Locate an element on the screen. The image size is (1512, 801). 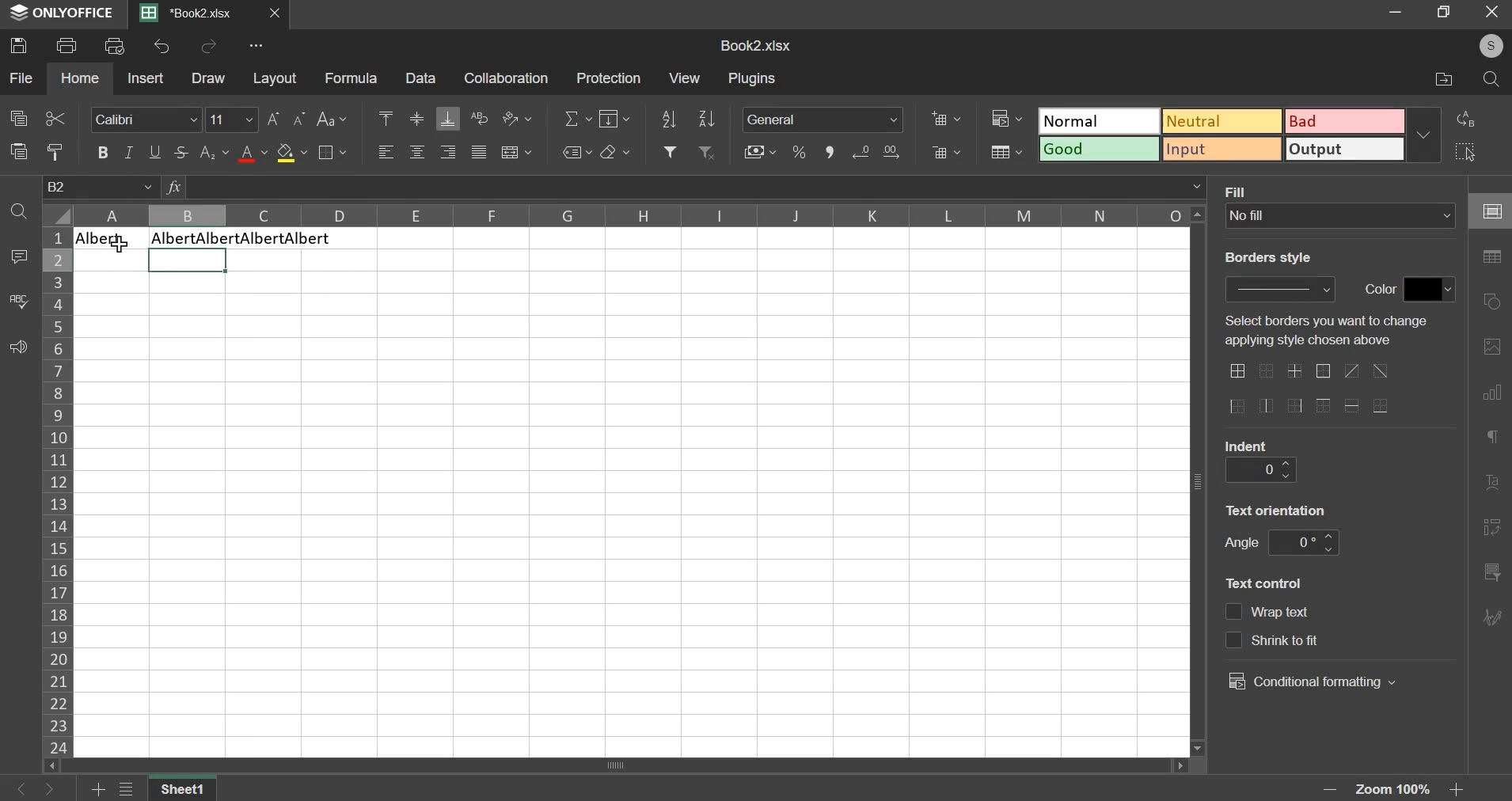
user's account is located at coordinates (1488, 44).